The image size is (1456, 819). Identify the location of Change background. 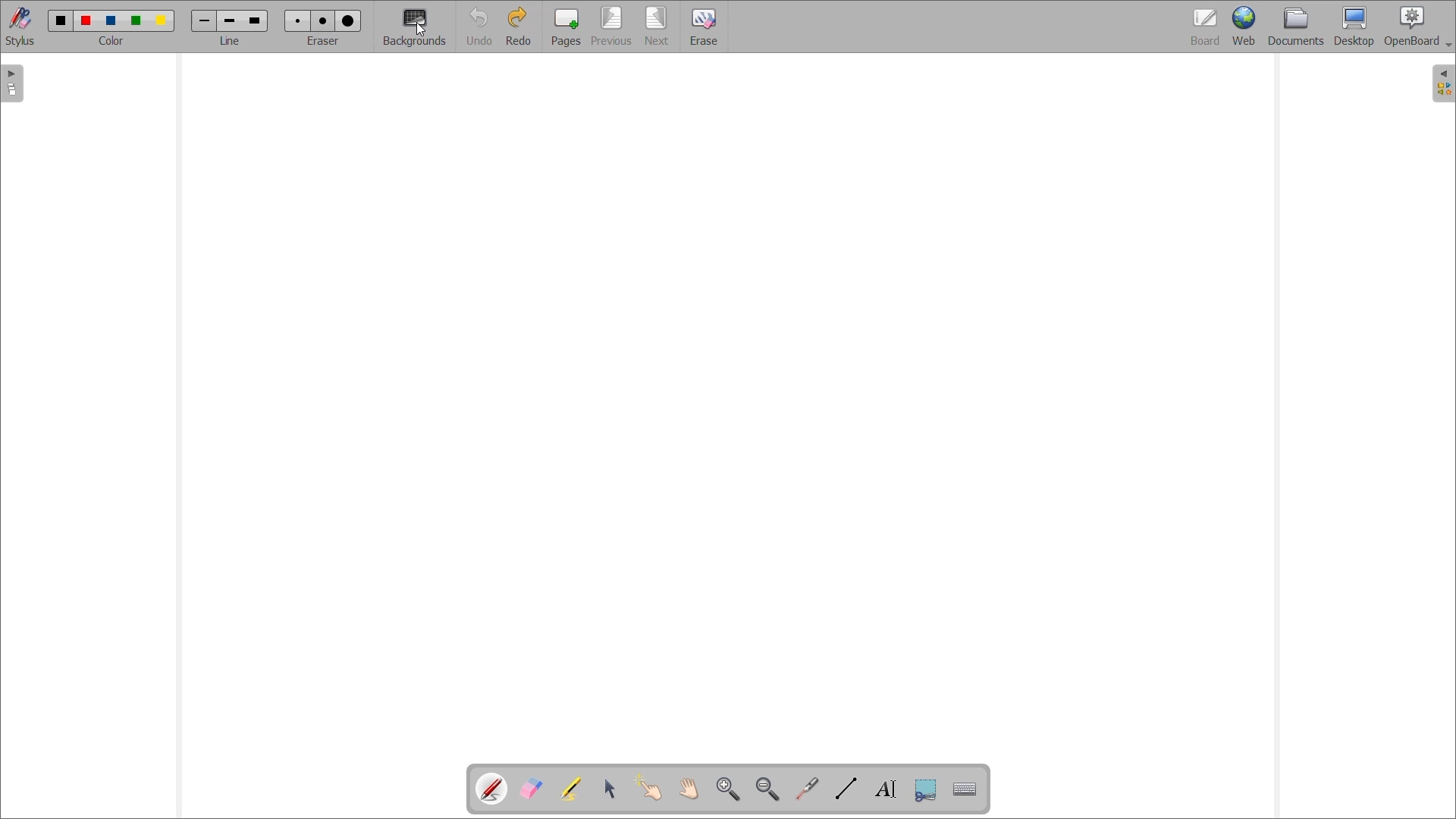
(415, 28).